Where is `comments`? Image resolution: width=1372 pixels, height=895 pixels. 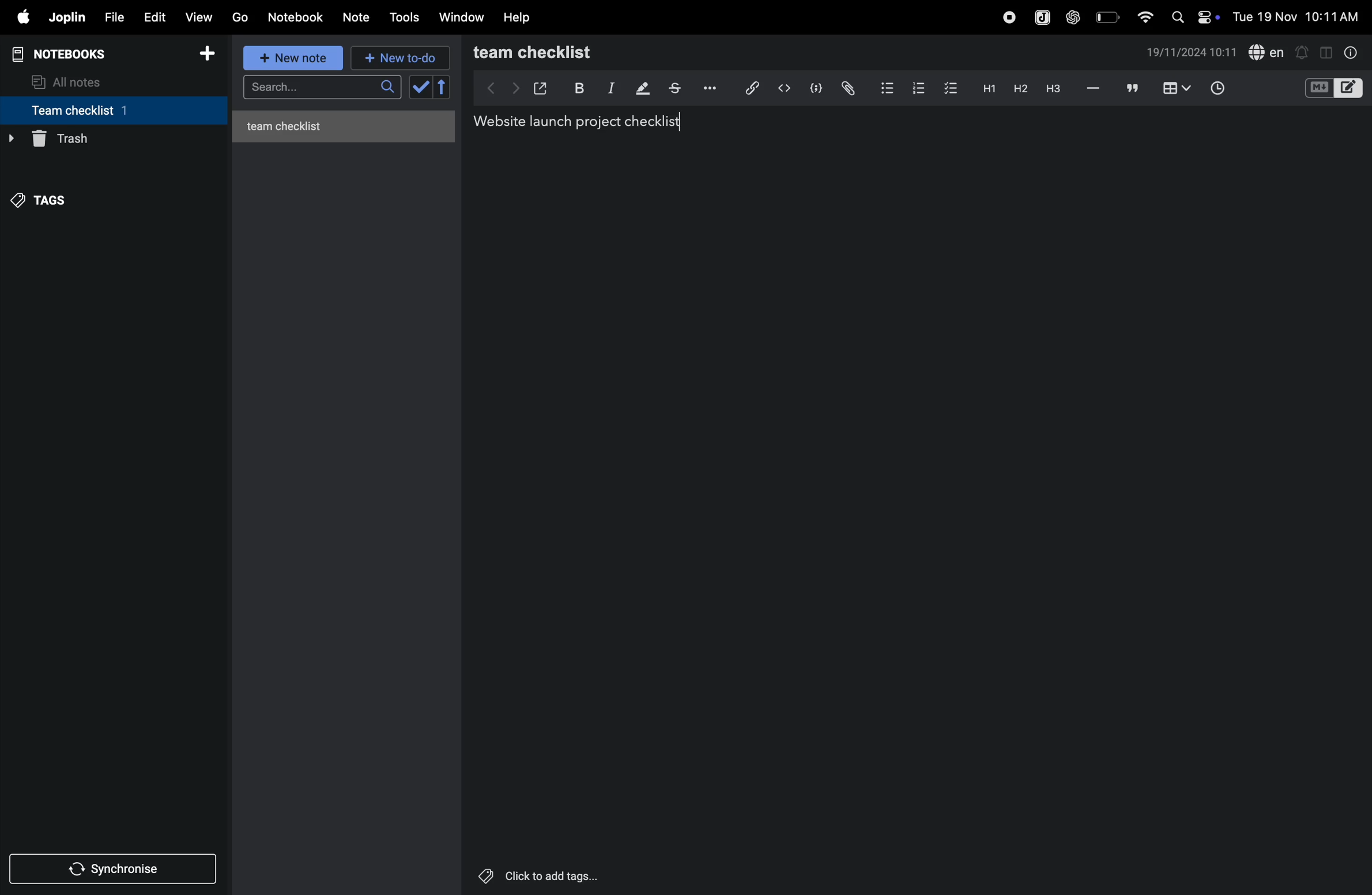 comments is located at coordinates (1130, 89).